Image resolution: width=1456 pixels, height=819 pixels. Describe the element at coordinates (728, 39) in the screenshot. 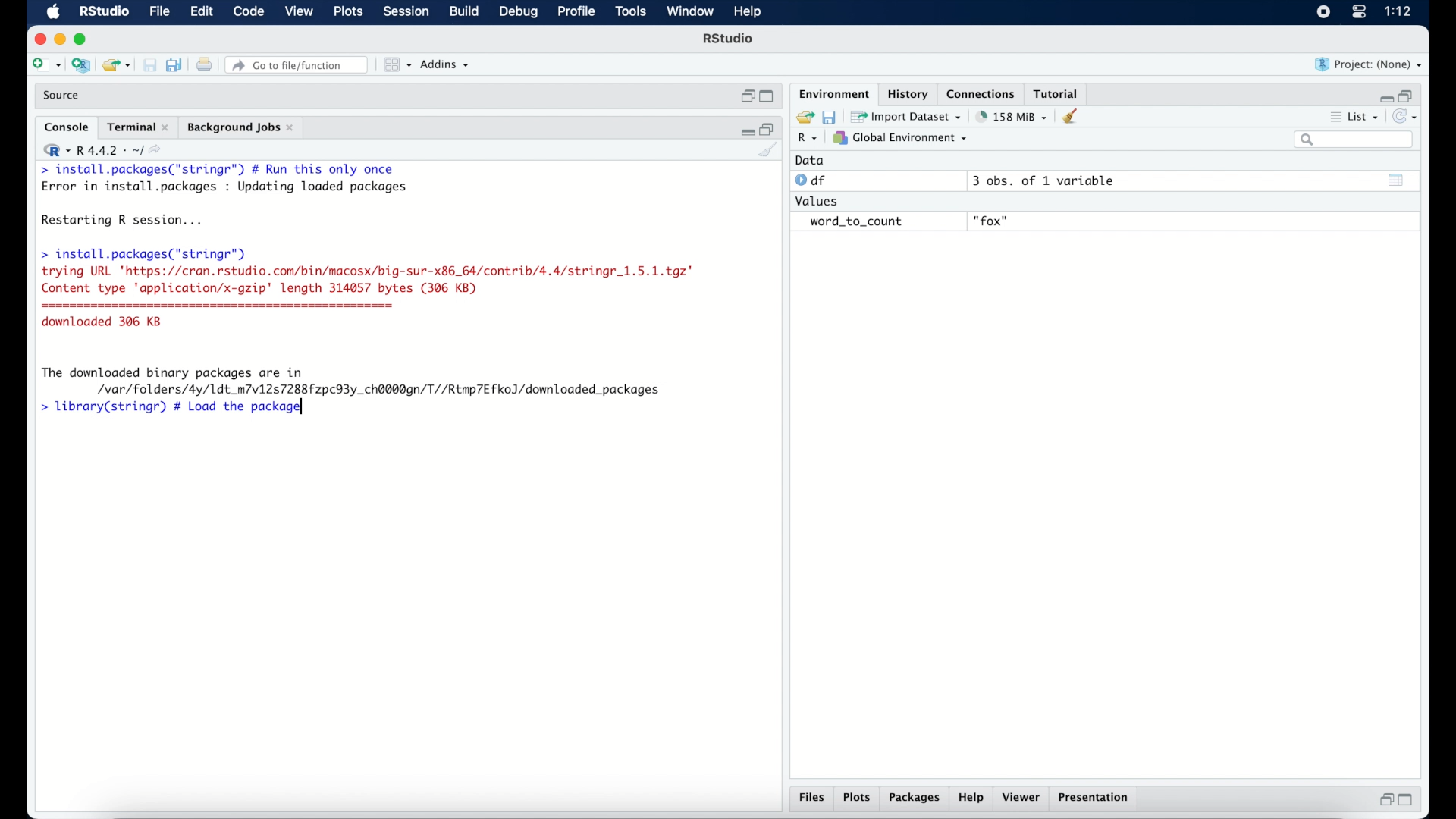

I see `R studio` at that location.